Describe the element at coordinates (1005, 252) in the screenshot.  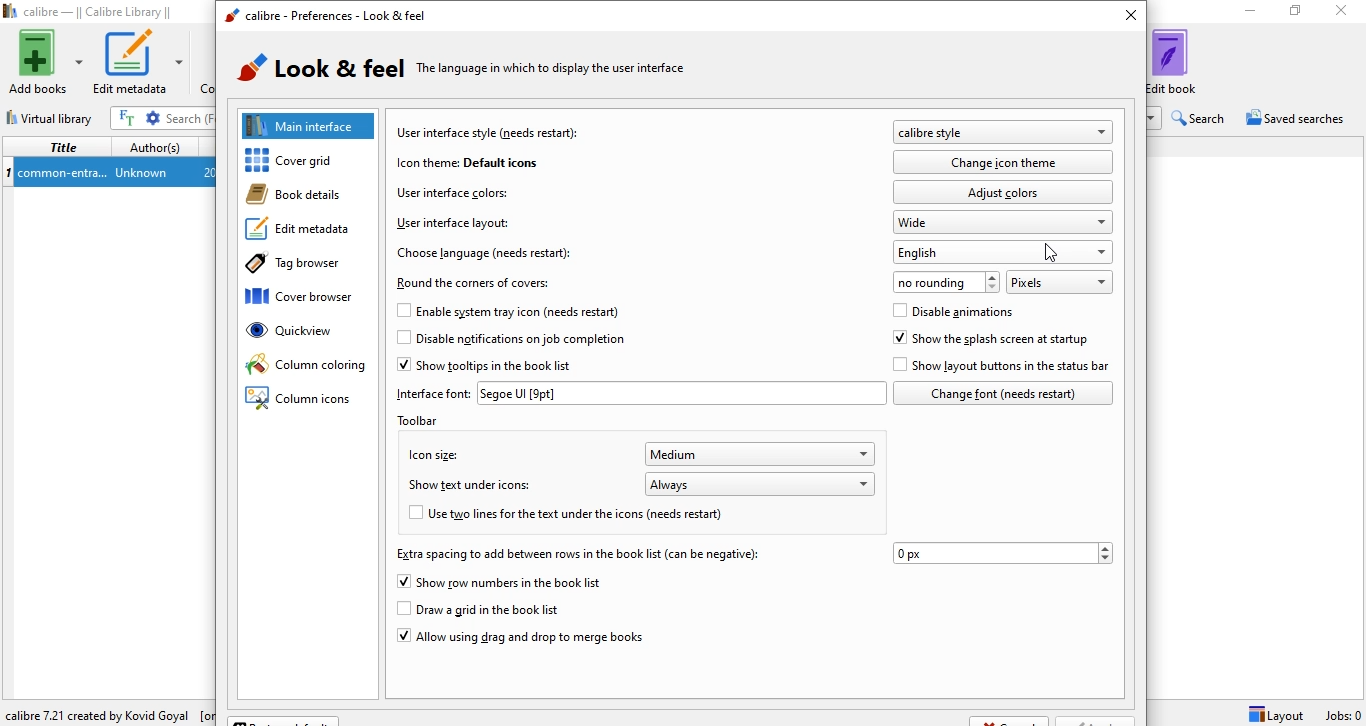
I see `english` at that location.